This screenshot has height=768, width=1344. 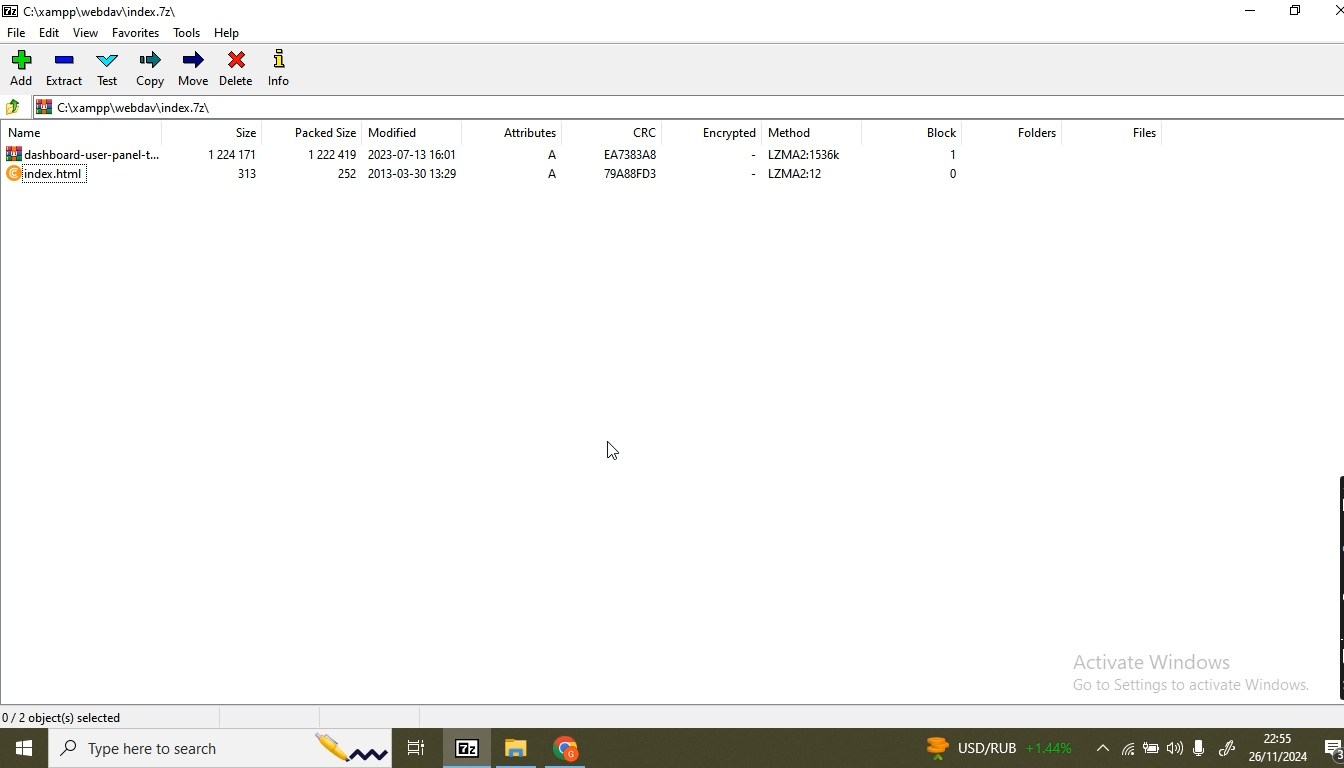 I want to click on delete, so click(x=238, y=66).